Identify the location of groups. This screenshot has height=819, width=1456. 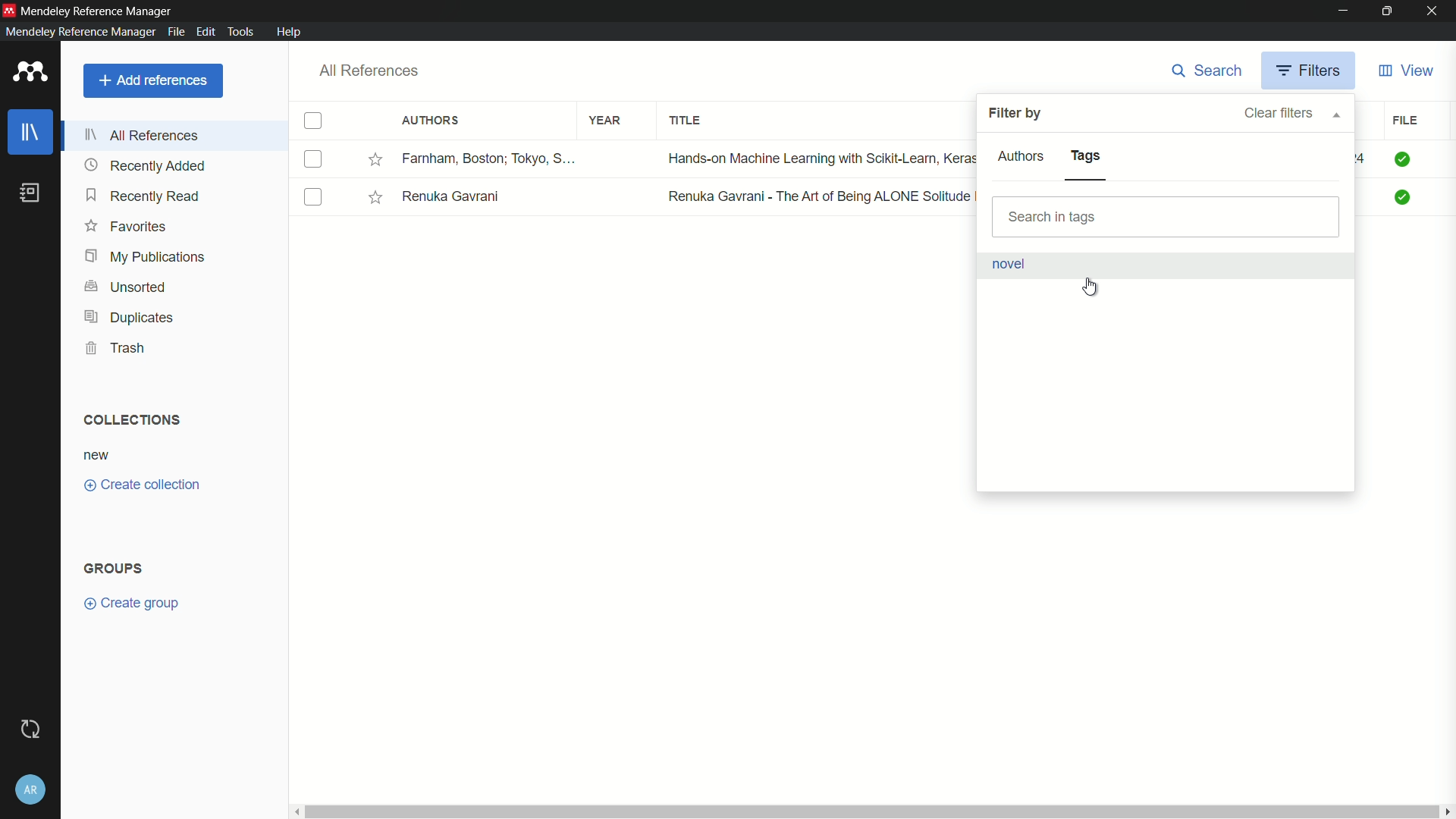
(112, 569).